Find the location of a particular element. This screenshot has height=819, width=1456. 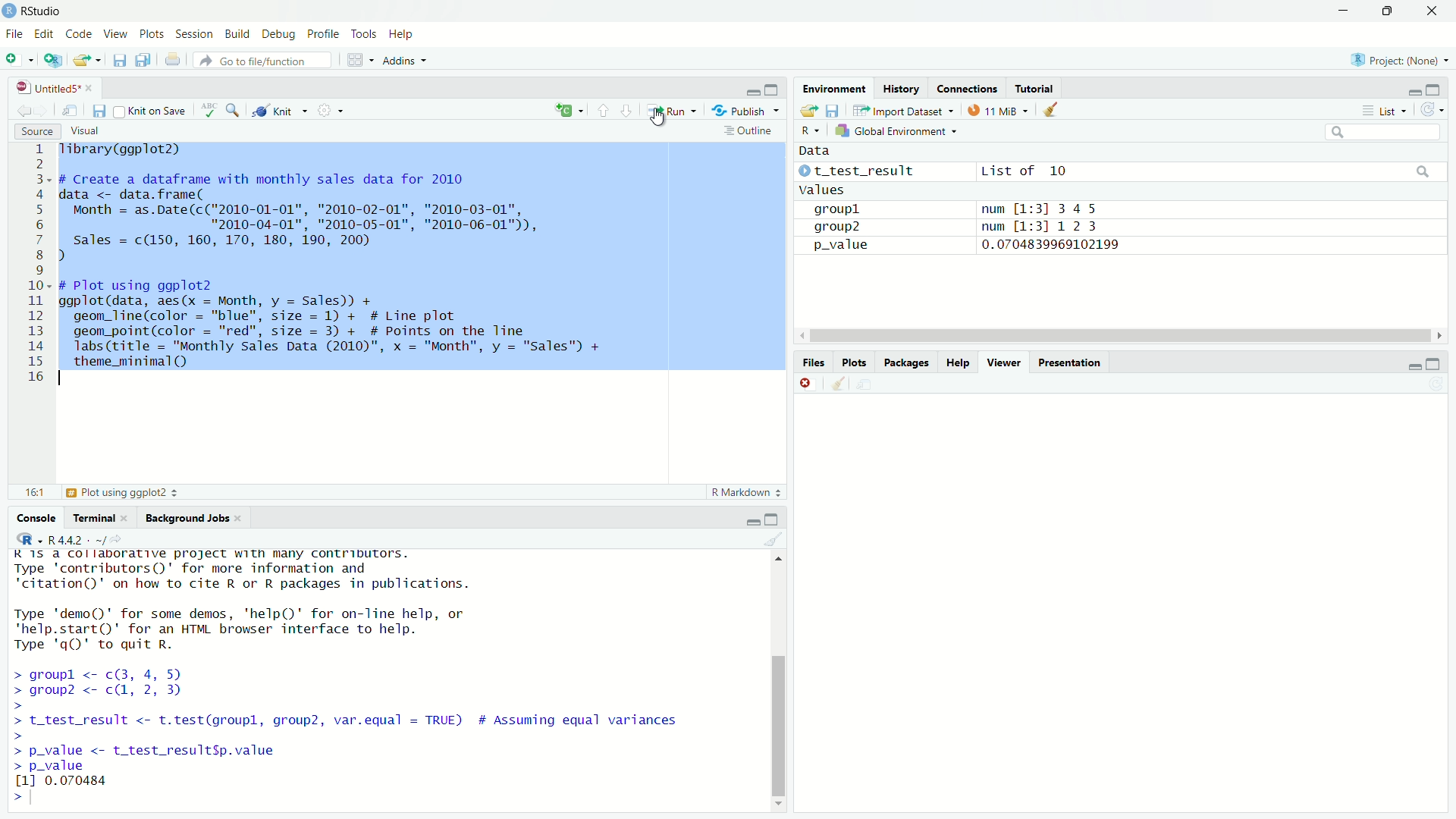

maximise is located at coordinates (771, 88).